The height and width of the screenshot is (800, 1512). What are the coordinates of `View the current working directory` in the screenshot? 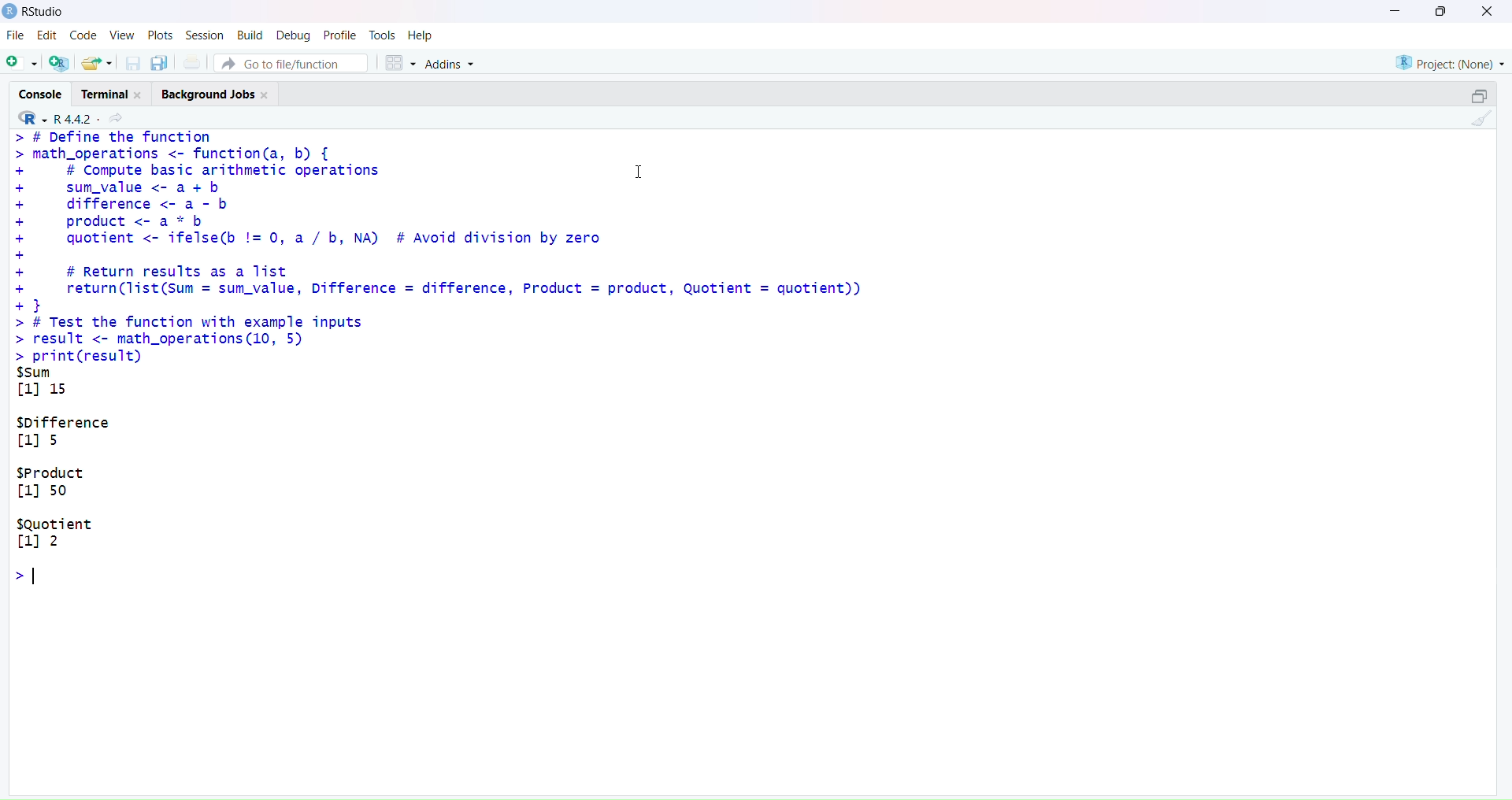 It's located at (119, 119).